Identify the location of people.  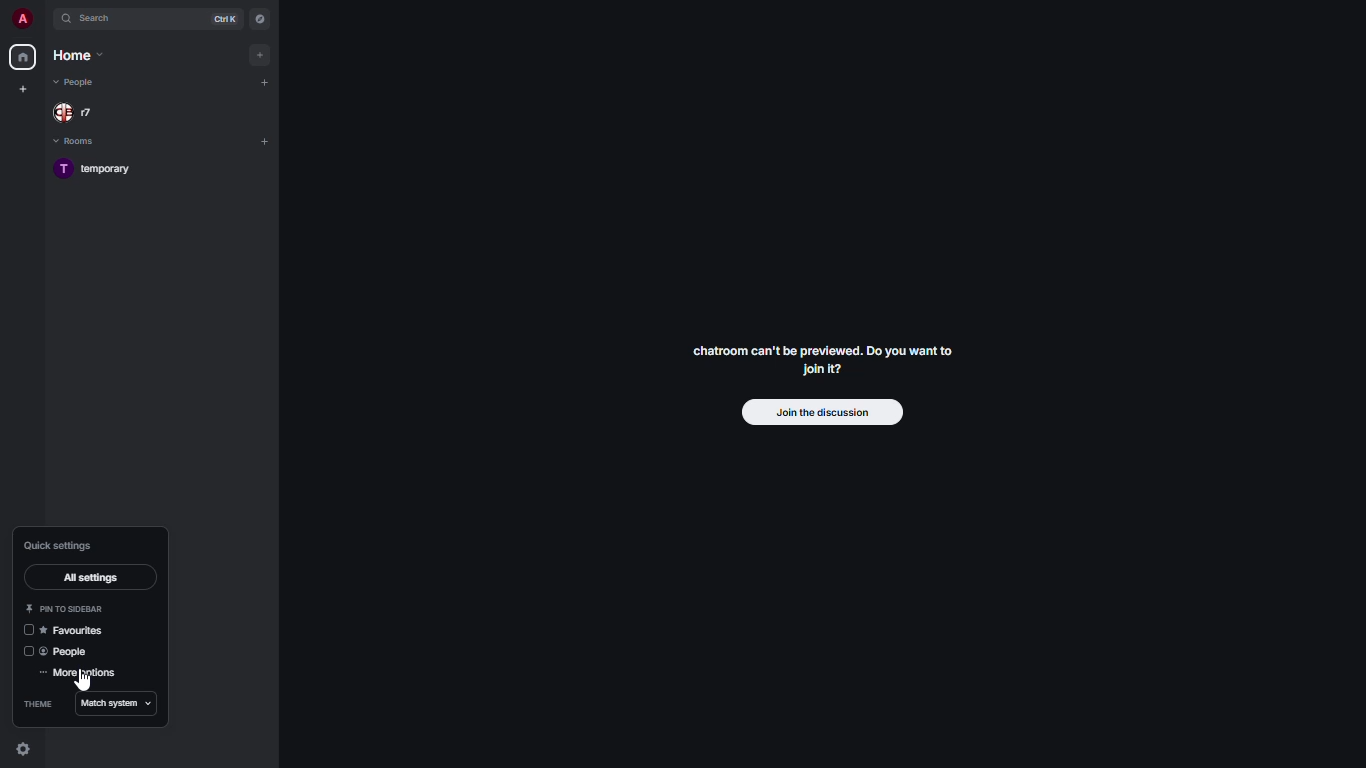
(78, 113).